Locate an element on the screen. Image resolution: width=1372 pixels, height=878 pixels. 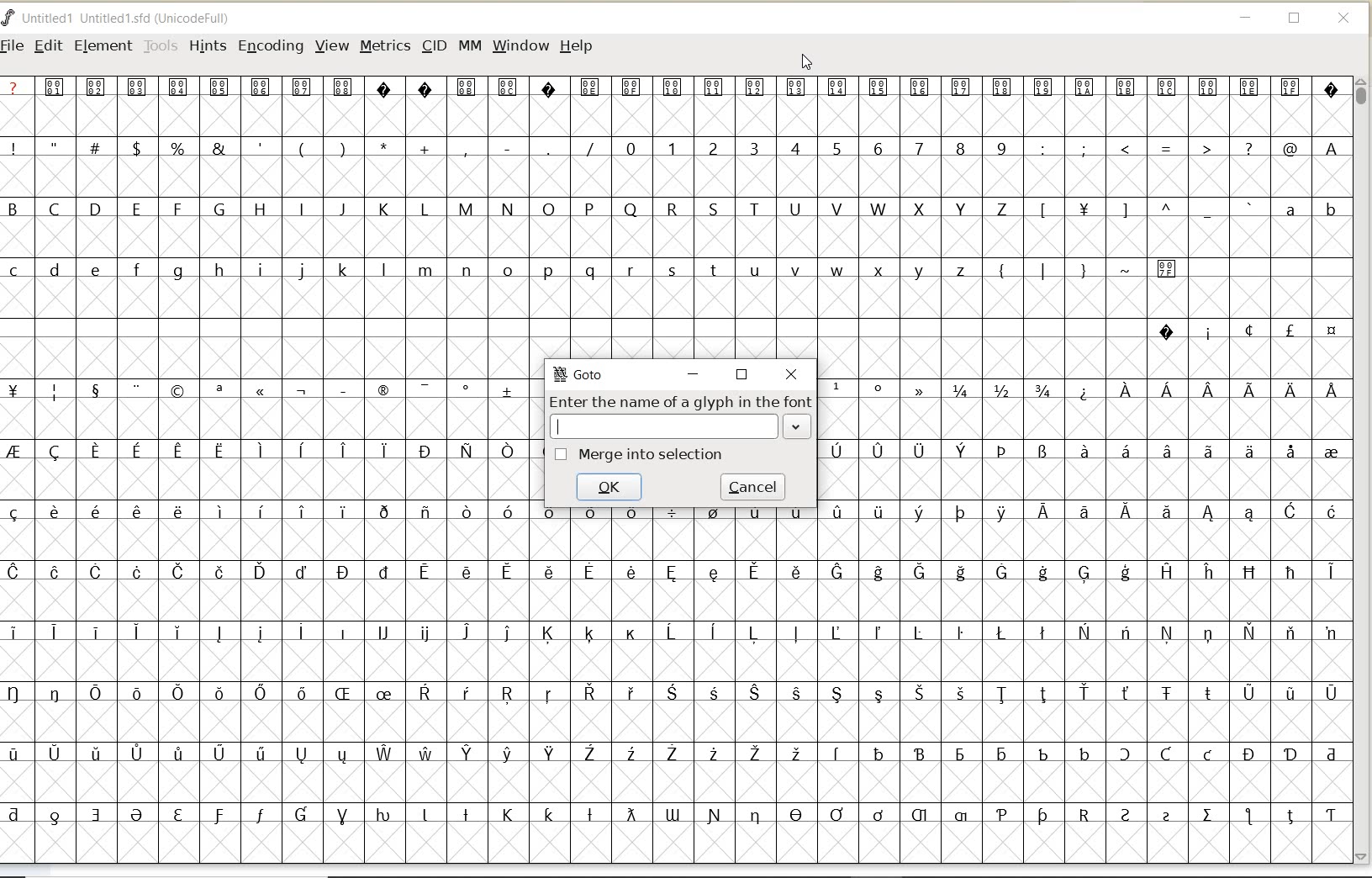
METRICS is located at coordinates (384, 47).